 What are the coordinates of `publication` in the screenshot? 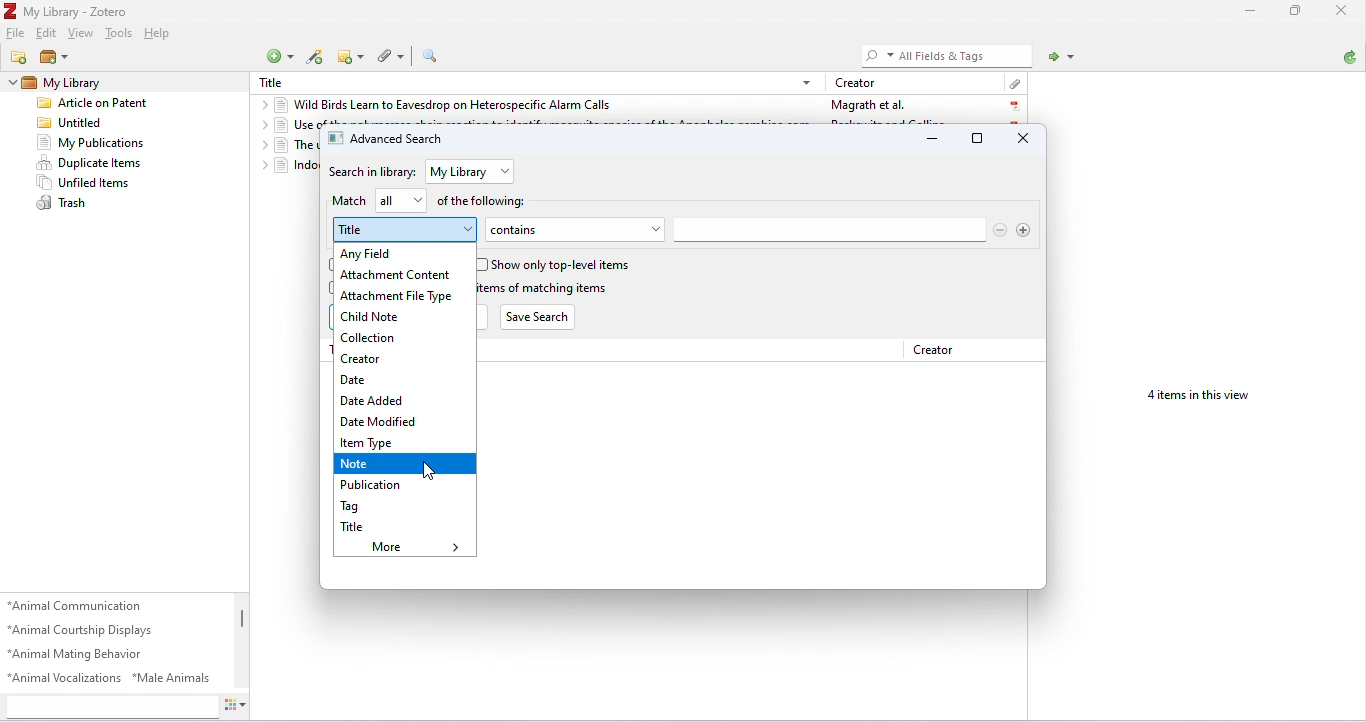 It's located at (373, 486).